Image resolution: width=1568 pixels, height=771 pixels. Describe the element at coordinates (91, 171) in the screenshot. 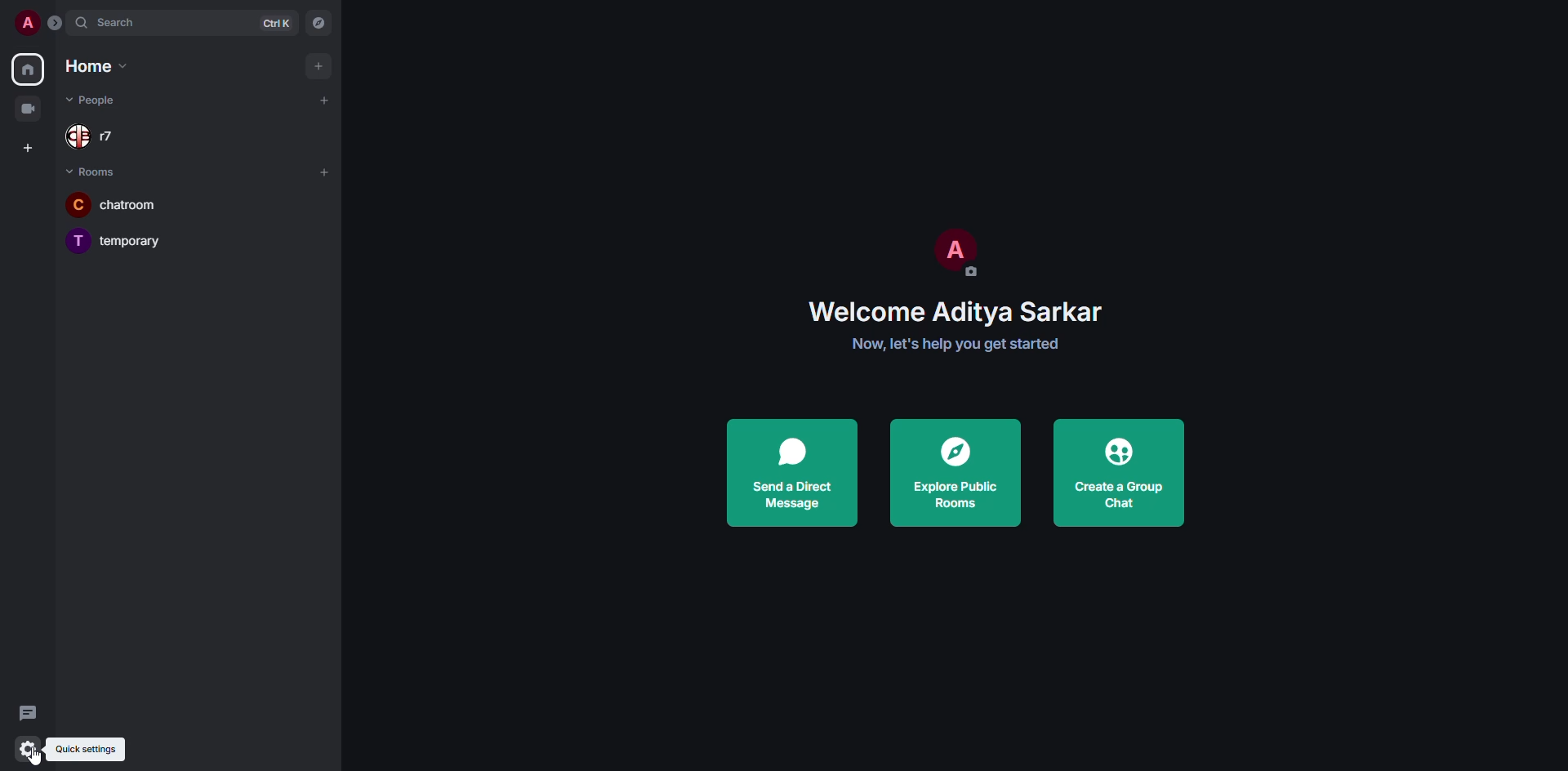

I see `room` at that location.